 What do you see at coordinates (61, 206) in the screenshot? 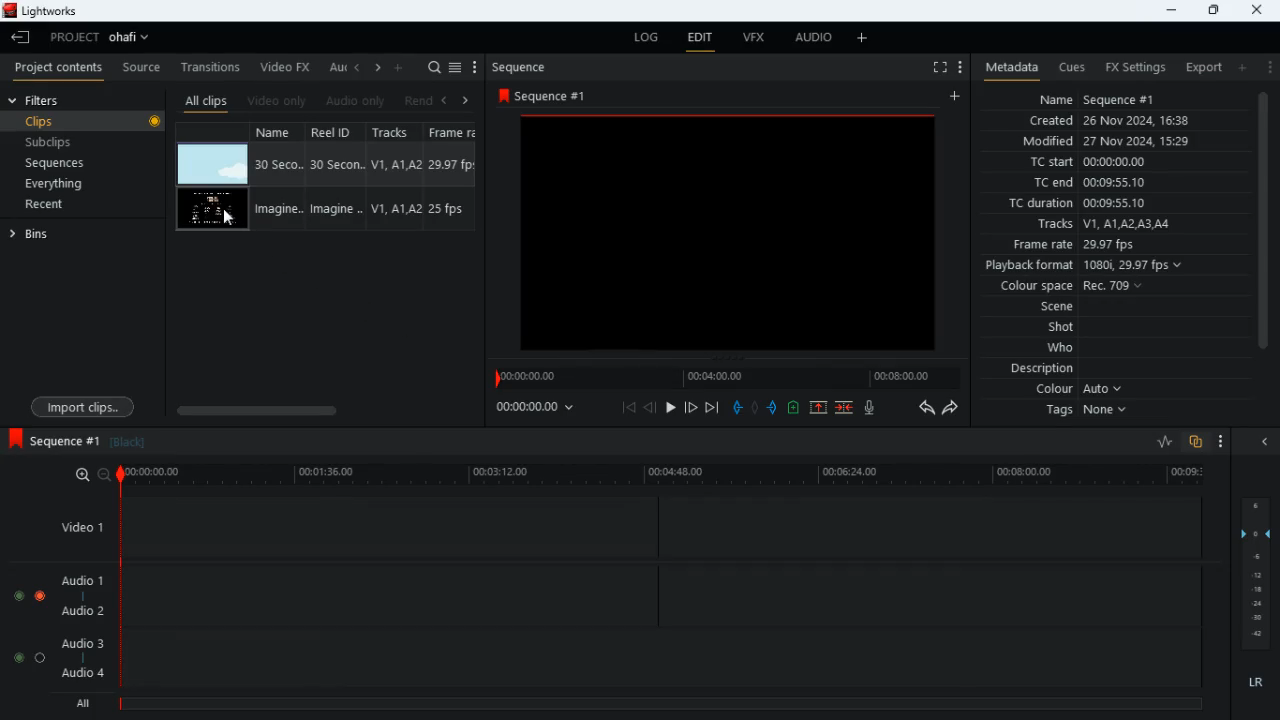
I see `recent` at bounding box center [61, 206].